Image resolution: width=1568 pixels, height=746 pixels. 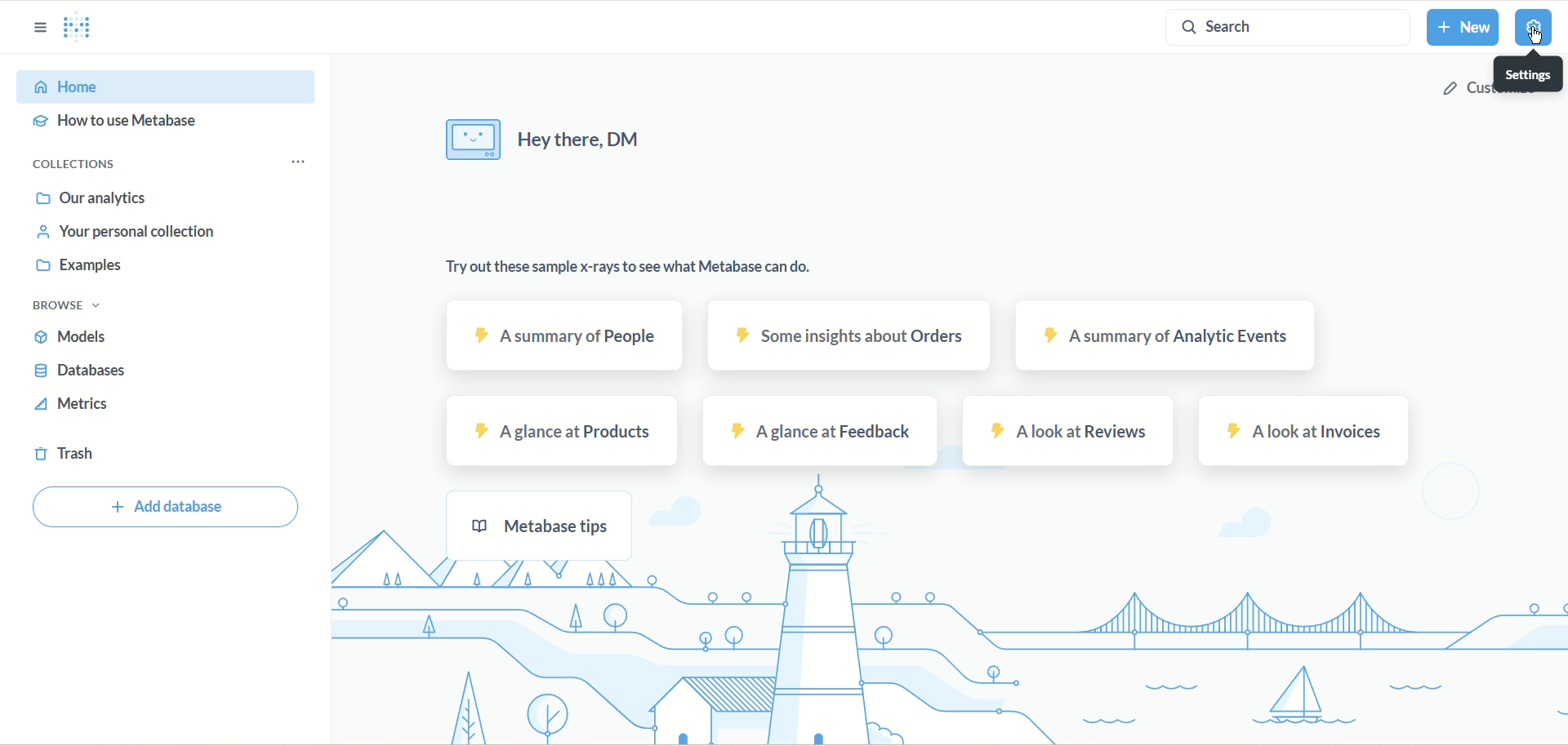 I want to click on Models, so click(x=72, y=337).